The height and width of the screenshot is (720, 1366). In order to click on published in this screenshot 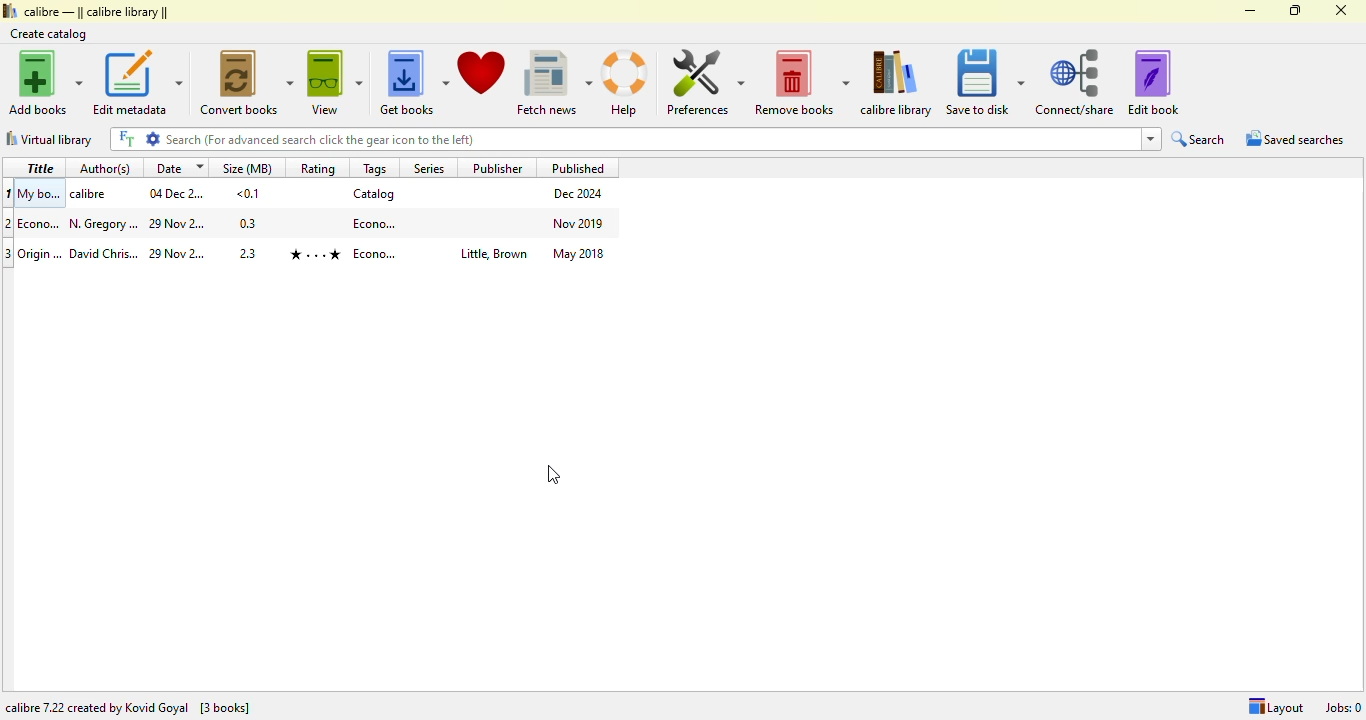, I will do `click(579, 167)`.